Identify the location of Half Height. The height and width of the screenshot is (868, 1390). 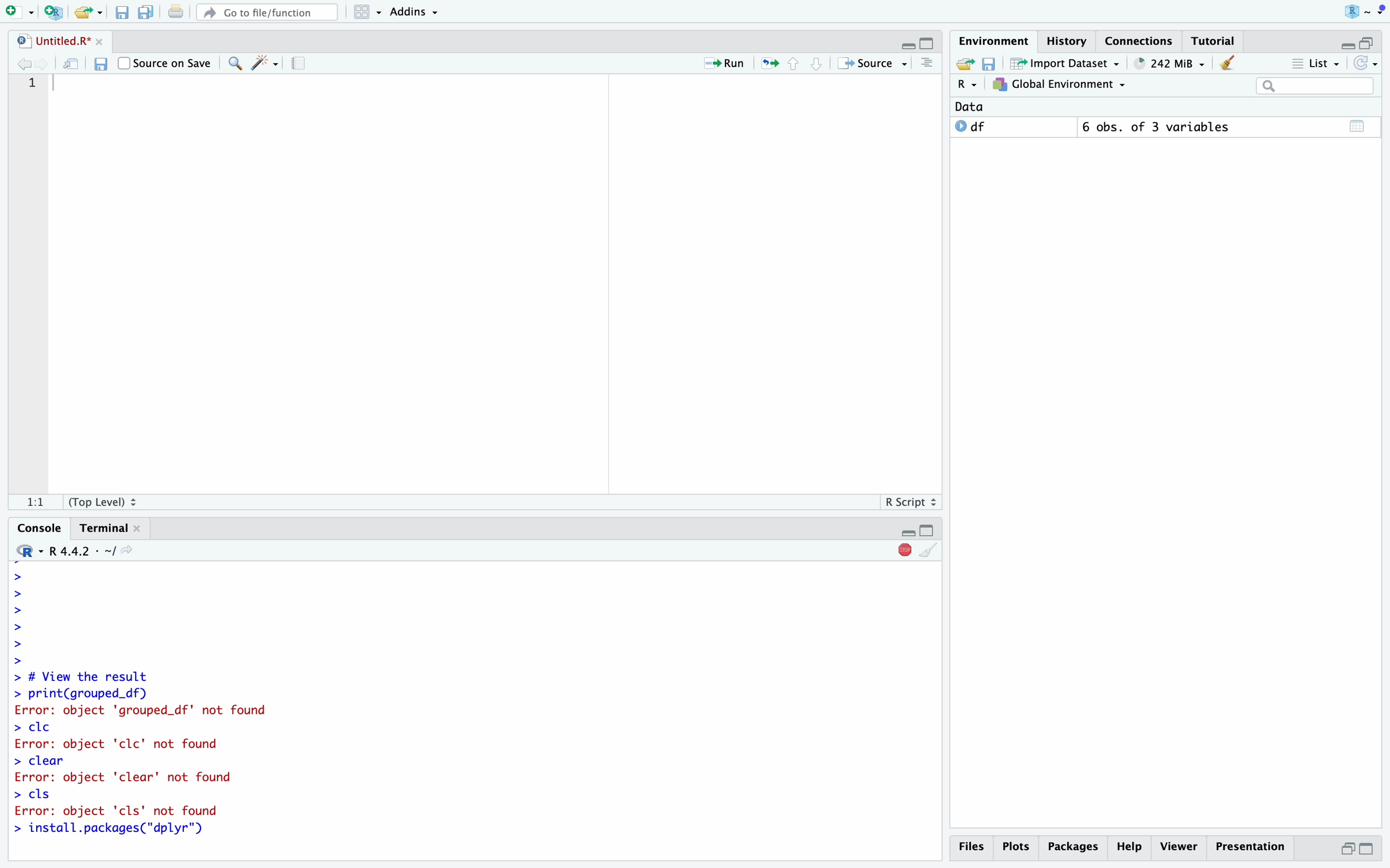
(1345, 848).